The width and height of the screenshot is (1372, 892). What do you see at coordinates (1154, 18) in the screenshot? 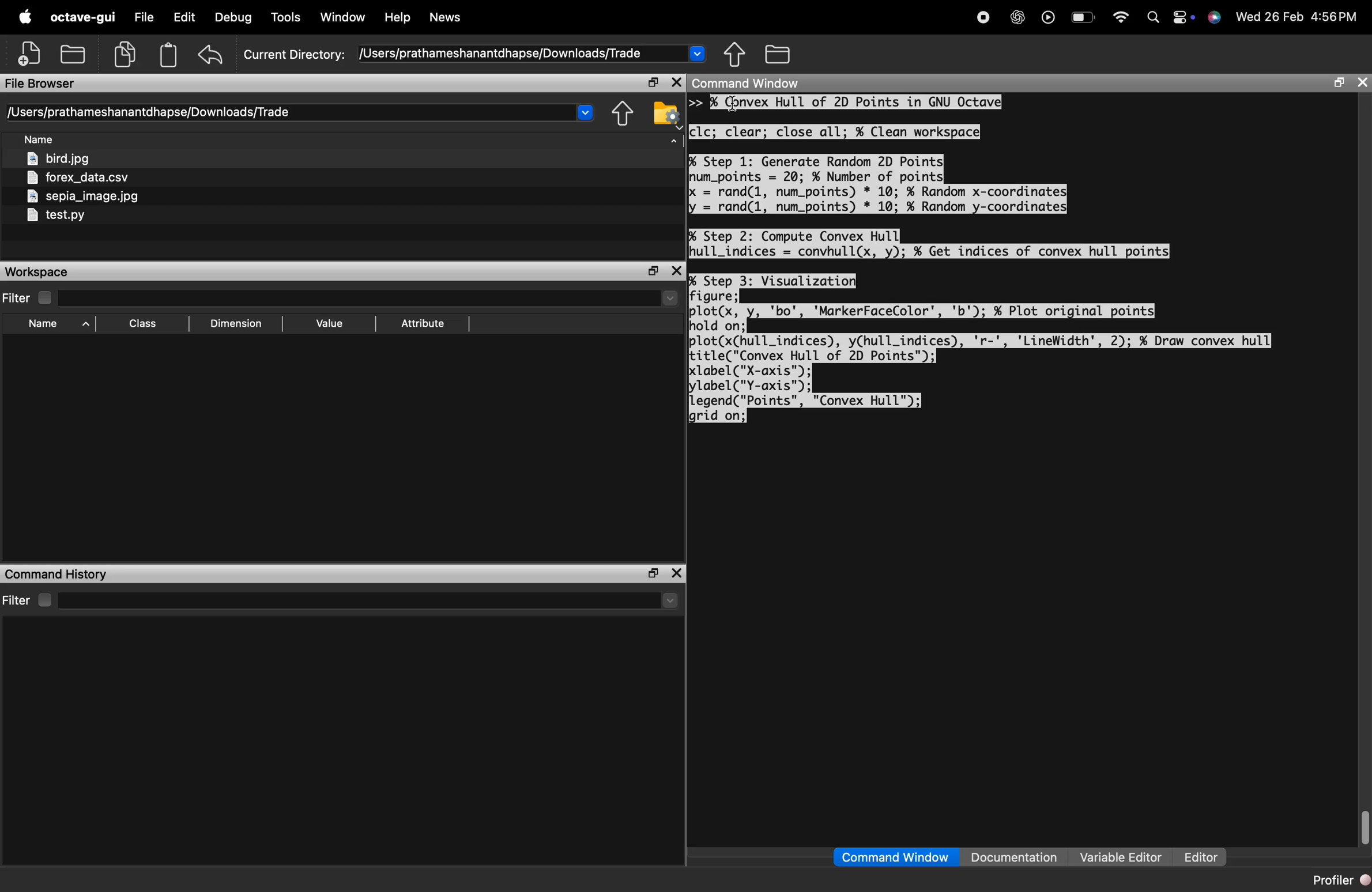
I see `search` at bounding box center [1154, 18].